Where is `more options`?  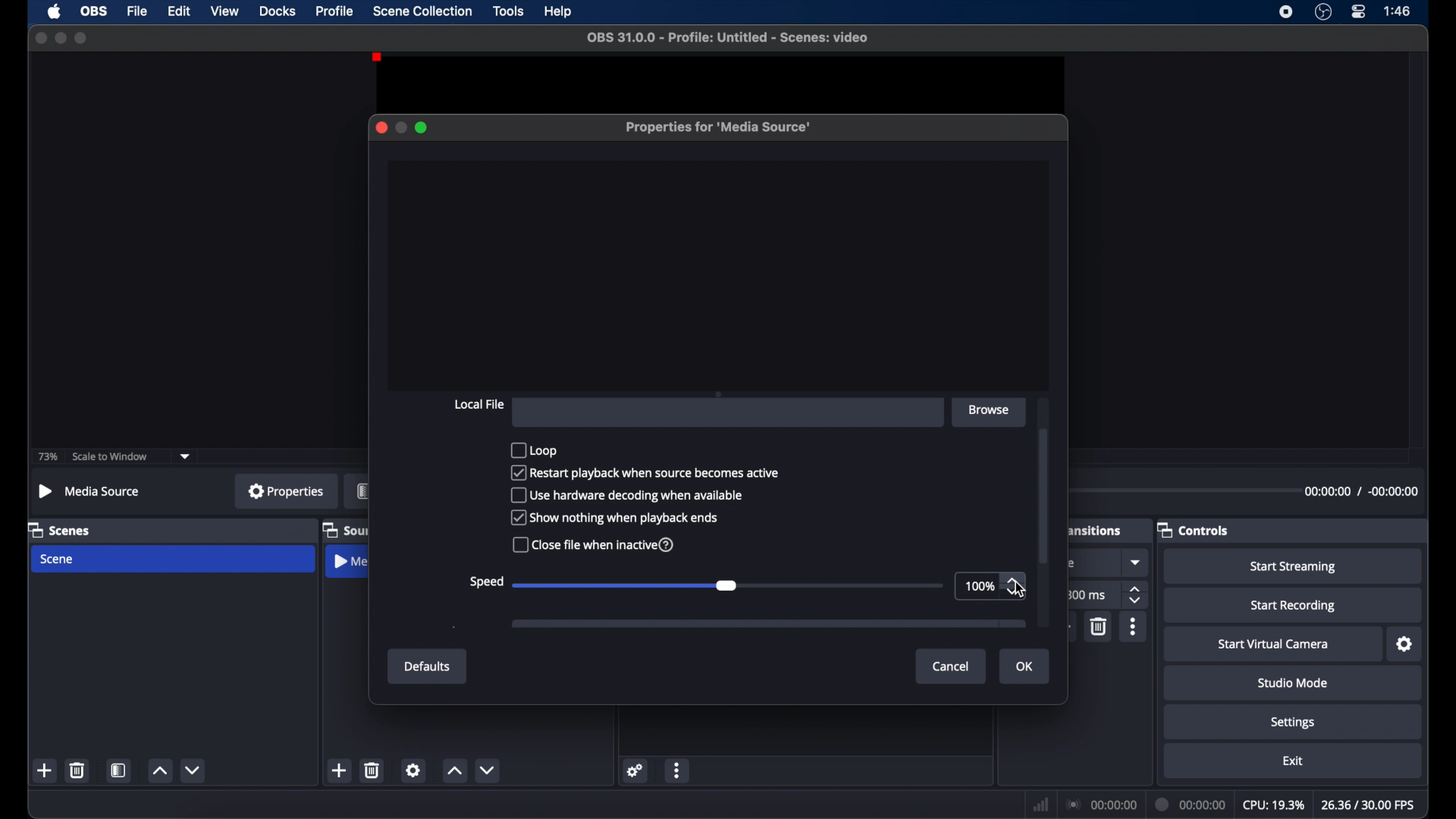 more options is located at coordinates (677, 772).